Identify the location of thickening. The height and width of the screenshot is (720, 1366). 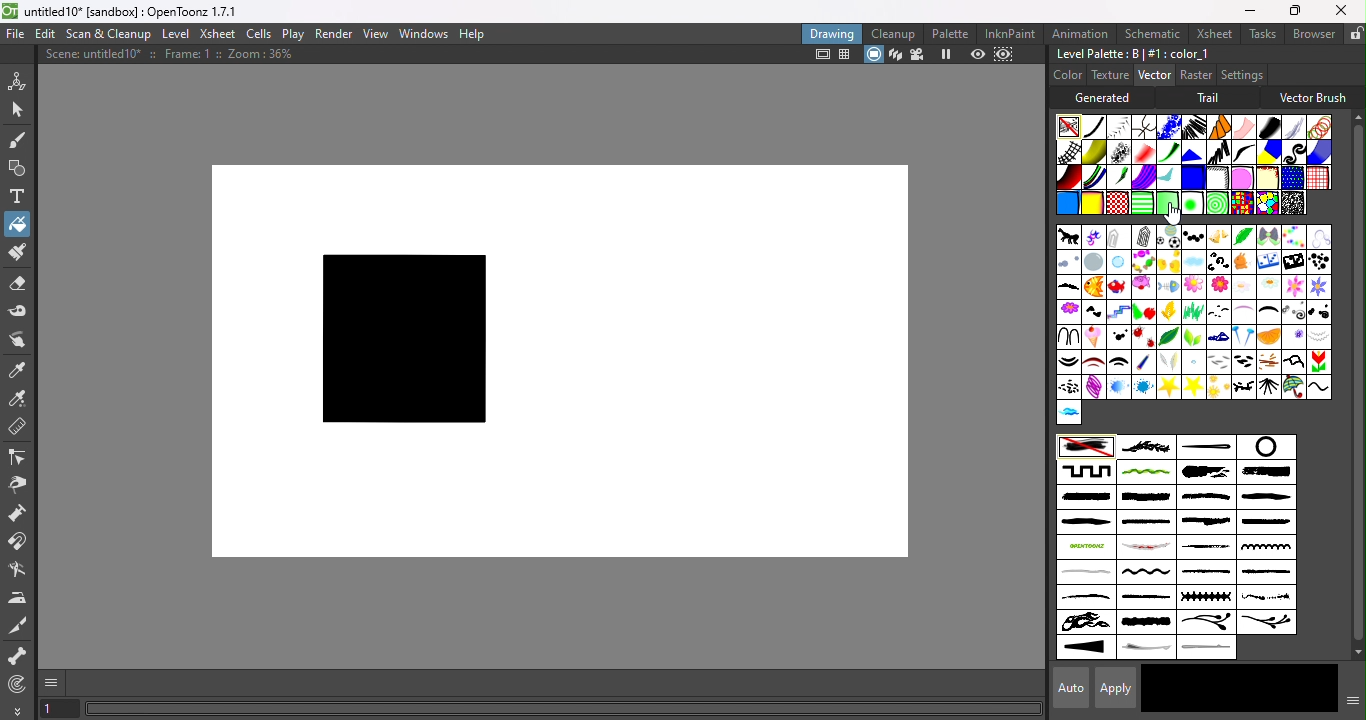
(1087, 648).